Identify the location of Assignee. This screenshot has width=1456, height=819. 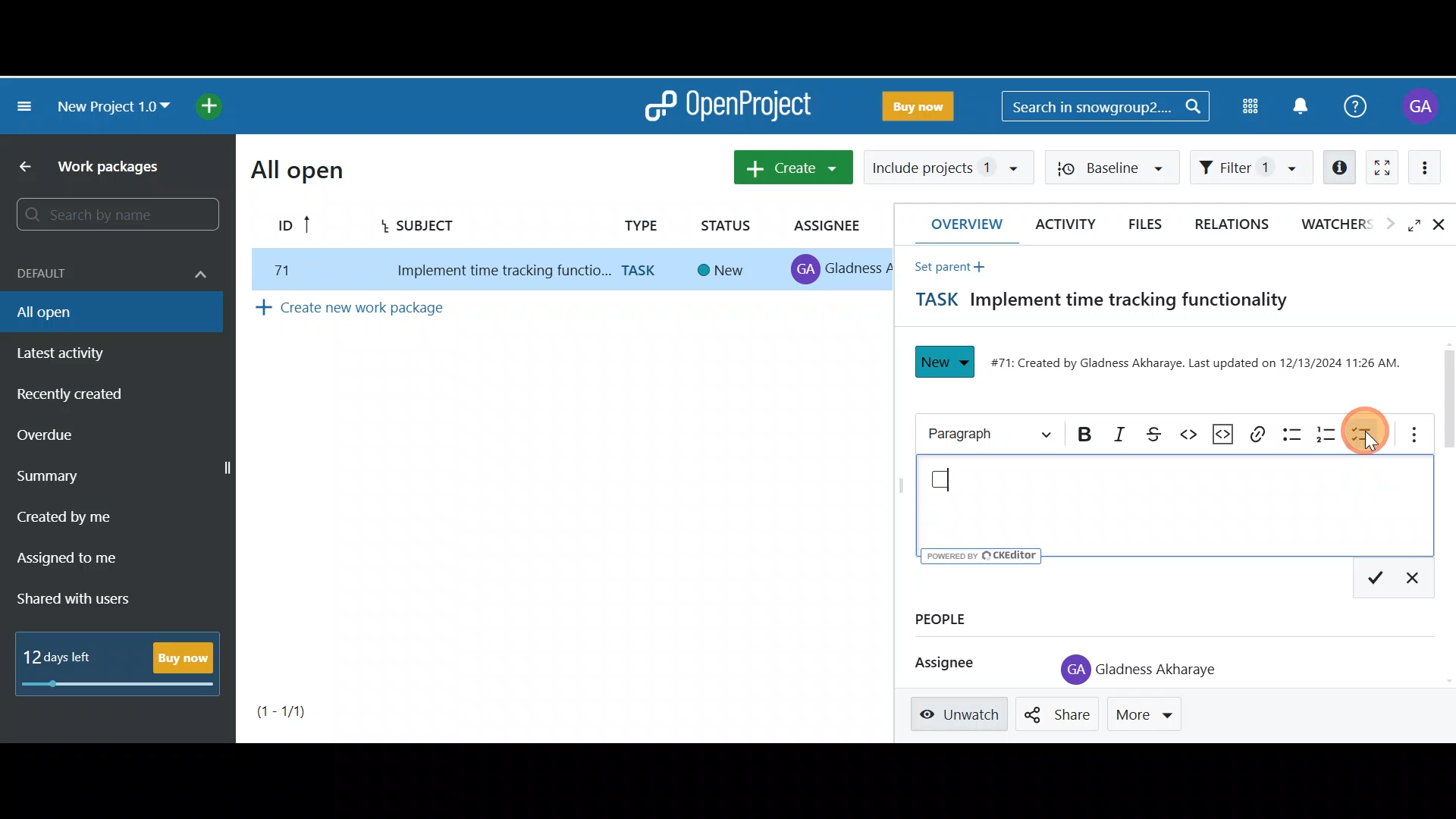
(939, 661).